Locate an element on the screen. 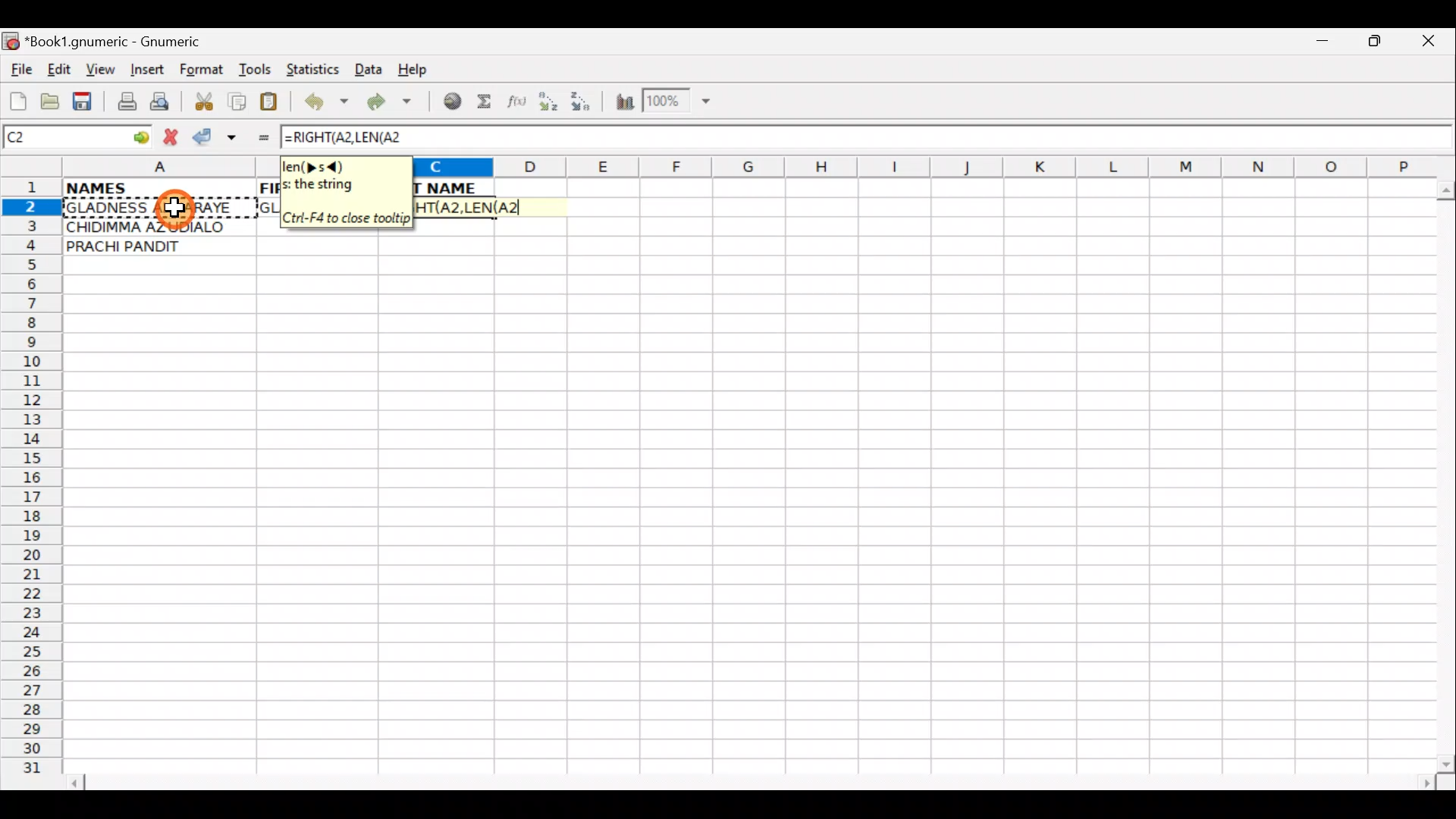 Image resolution: width=1456 pixels, height=819 pixels. Open a file is located at coordinates (53, 99).